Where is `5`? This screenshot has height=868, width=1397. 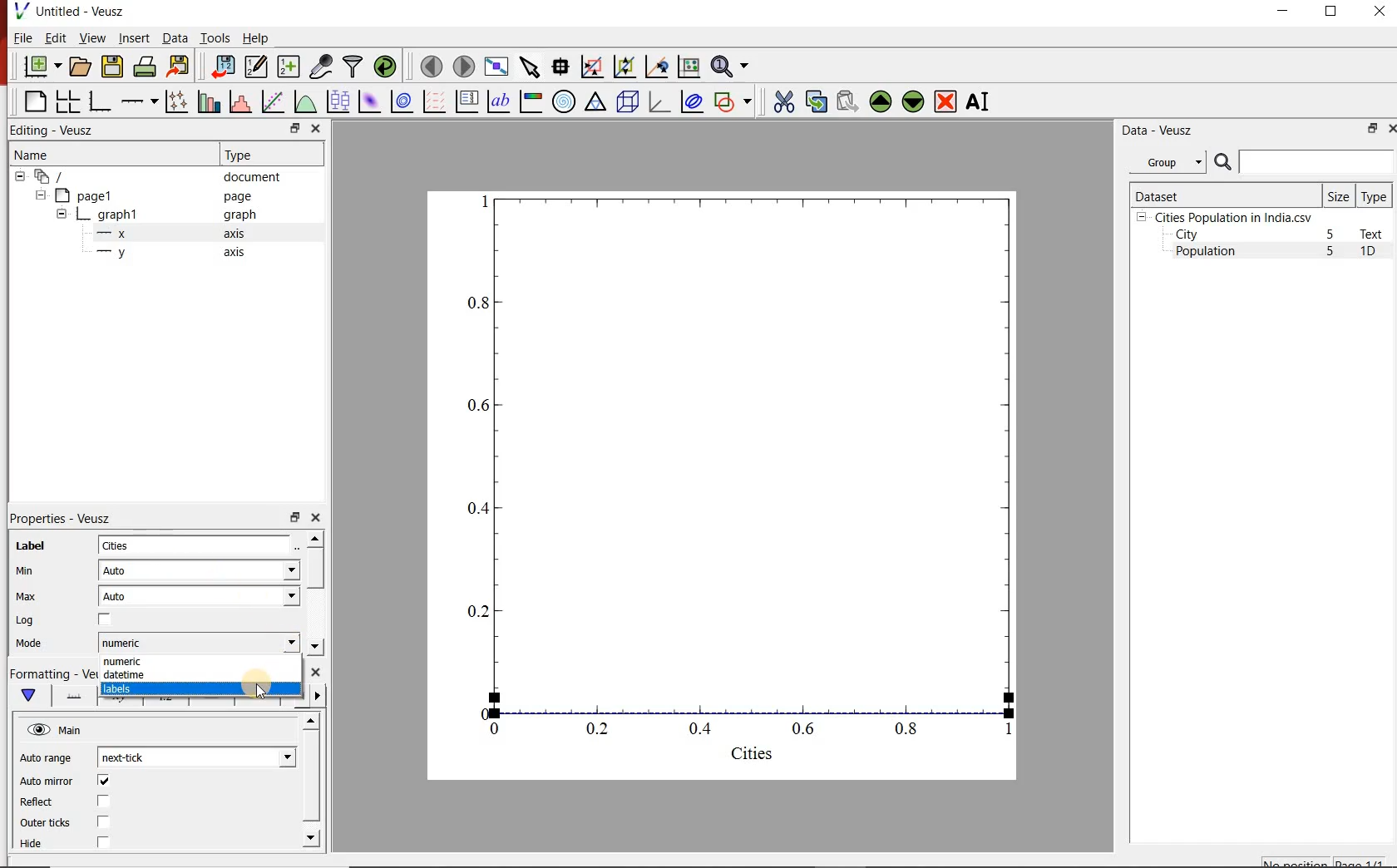
5 is located at coordinates (1331, 235).